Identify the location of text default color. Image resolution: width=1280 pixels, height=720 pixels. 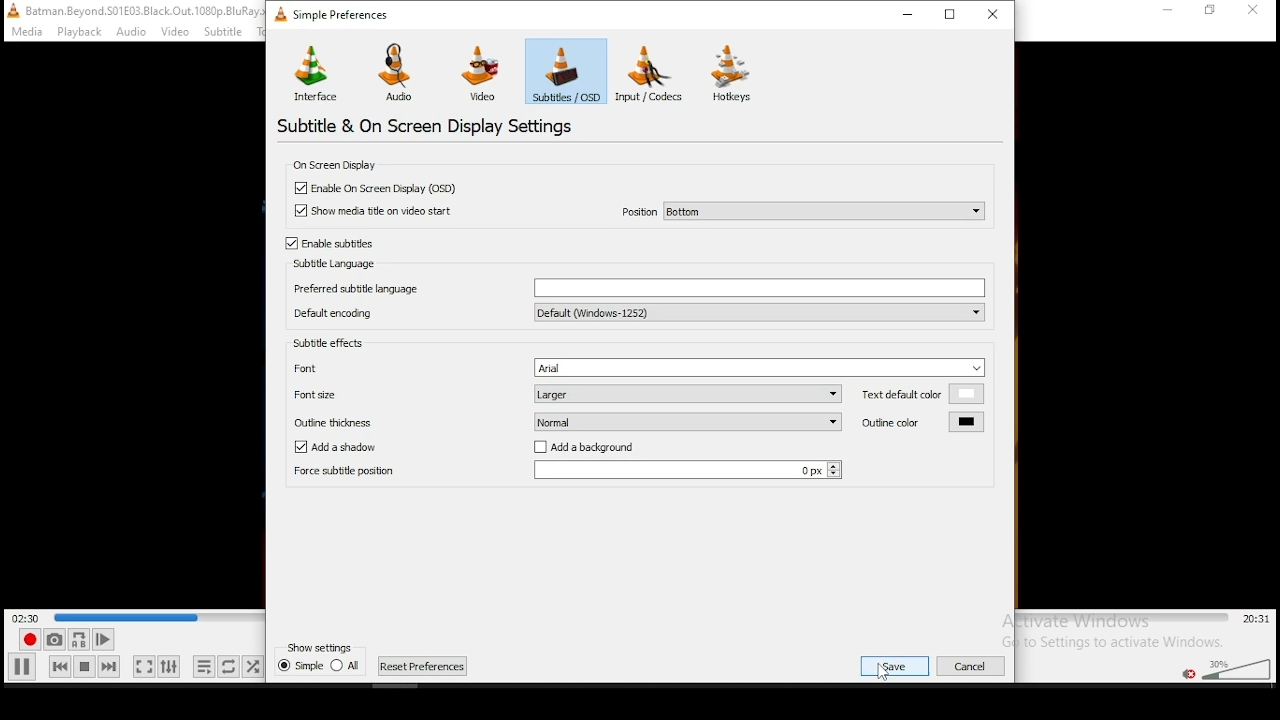
(923, 394).